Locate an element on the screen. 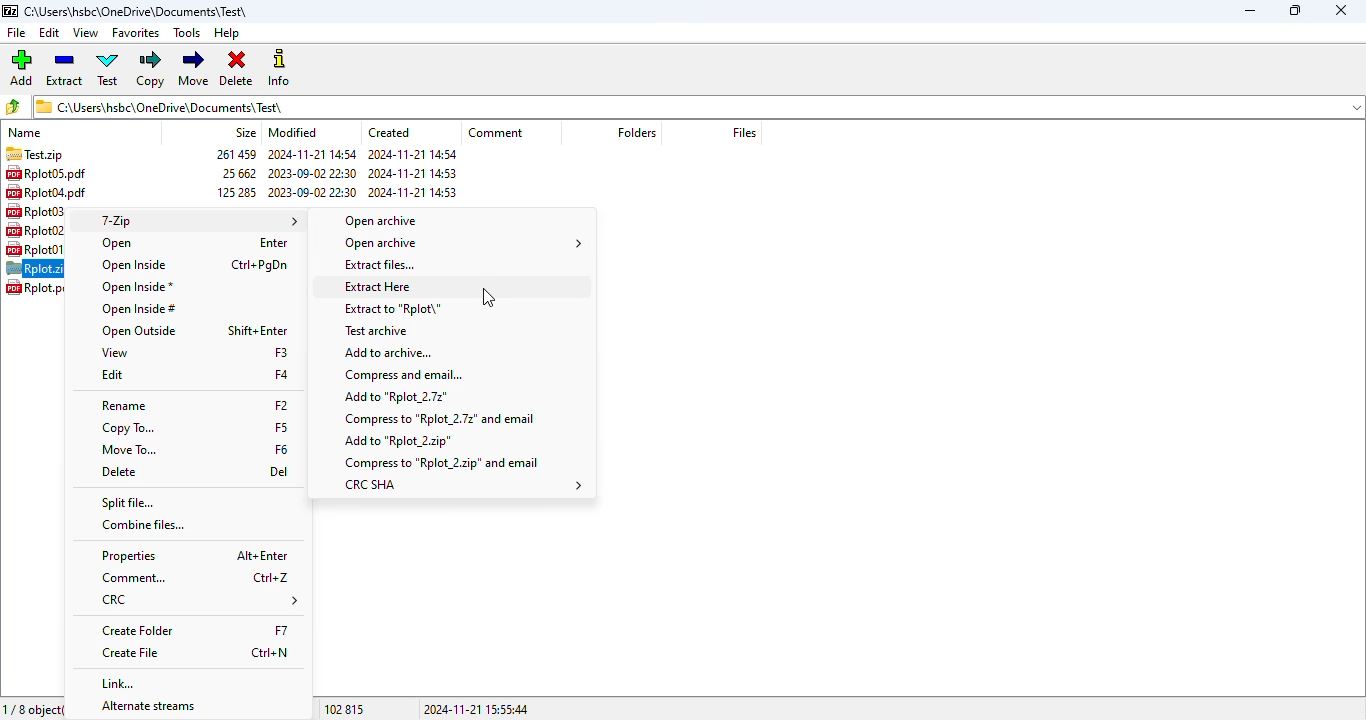 Image resolution: width=1366 pixels, height=720 pixels. move is located at coordinates (194, 67).